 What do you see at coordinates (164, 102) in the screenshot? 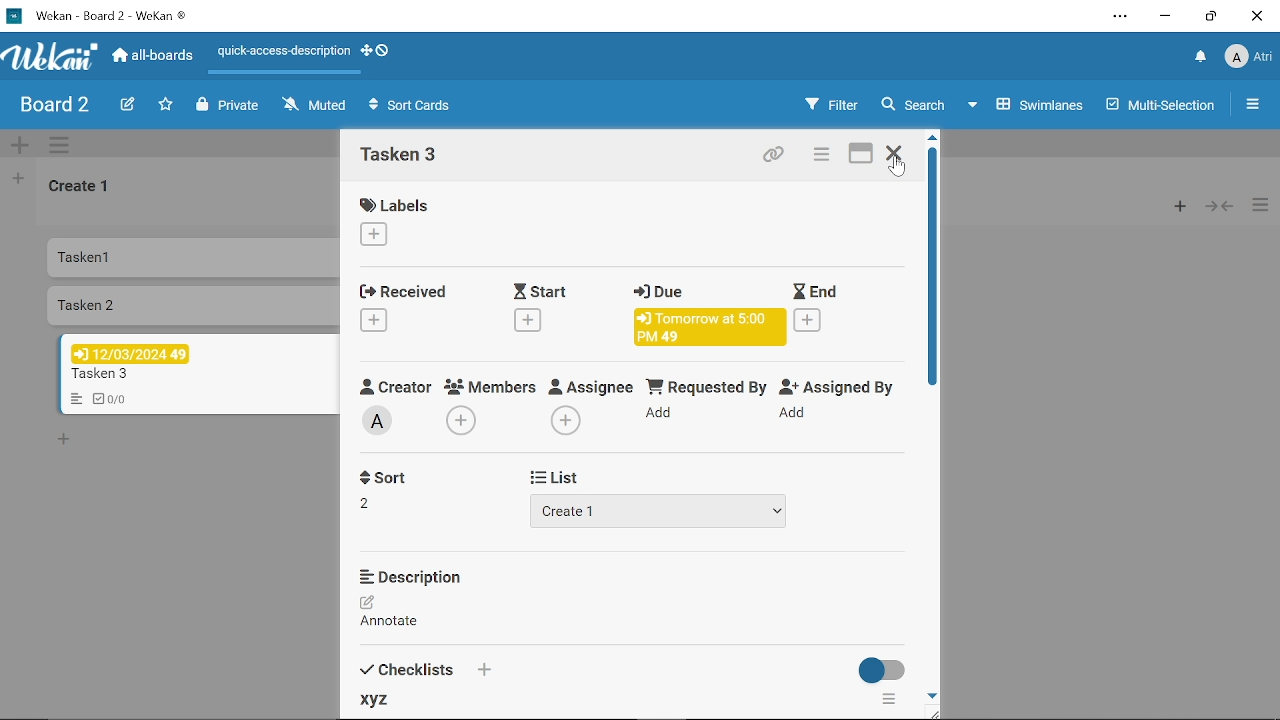
I see `Favorites` at bounding box center [164, 102].